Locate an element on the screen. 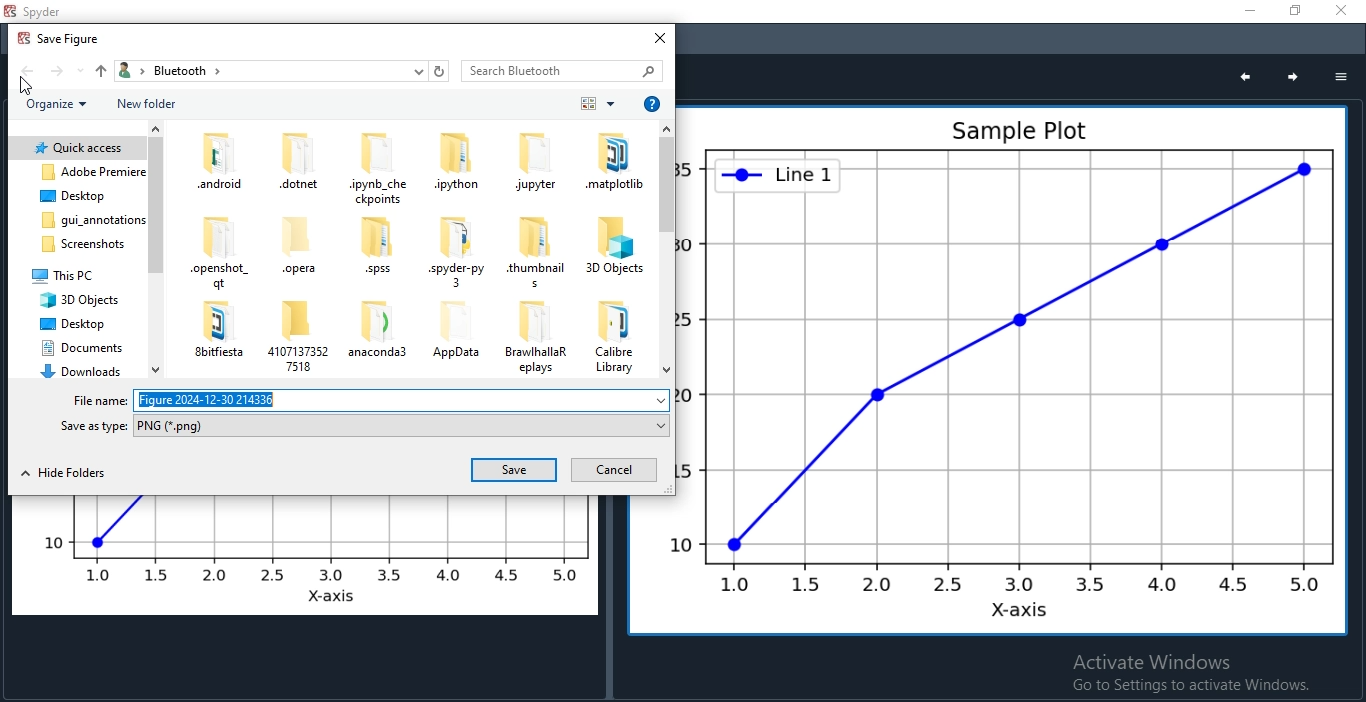 This screenshot has width=1366, height=702. folder 5 is located at coordinates (71, 244).